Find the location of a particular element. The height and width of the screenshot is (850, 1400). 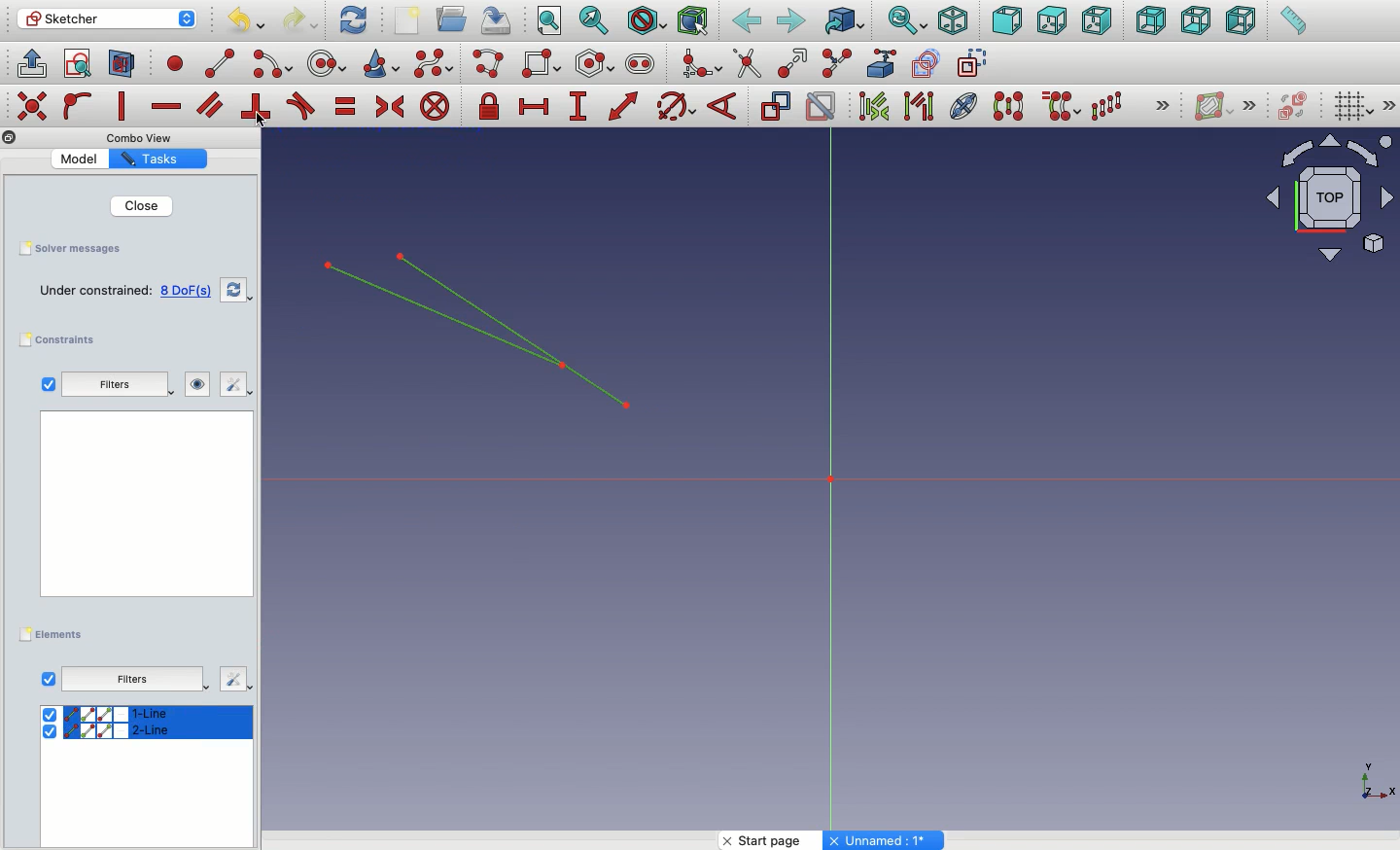

Filters is located at coordinates (109, 385).